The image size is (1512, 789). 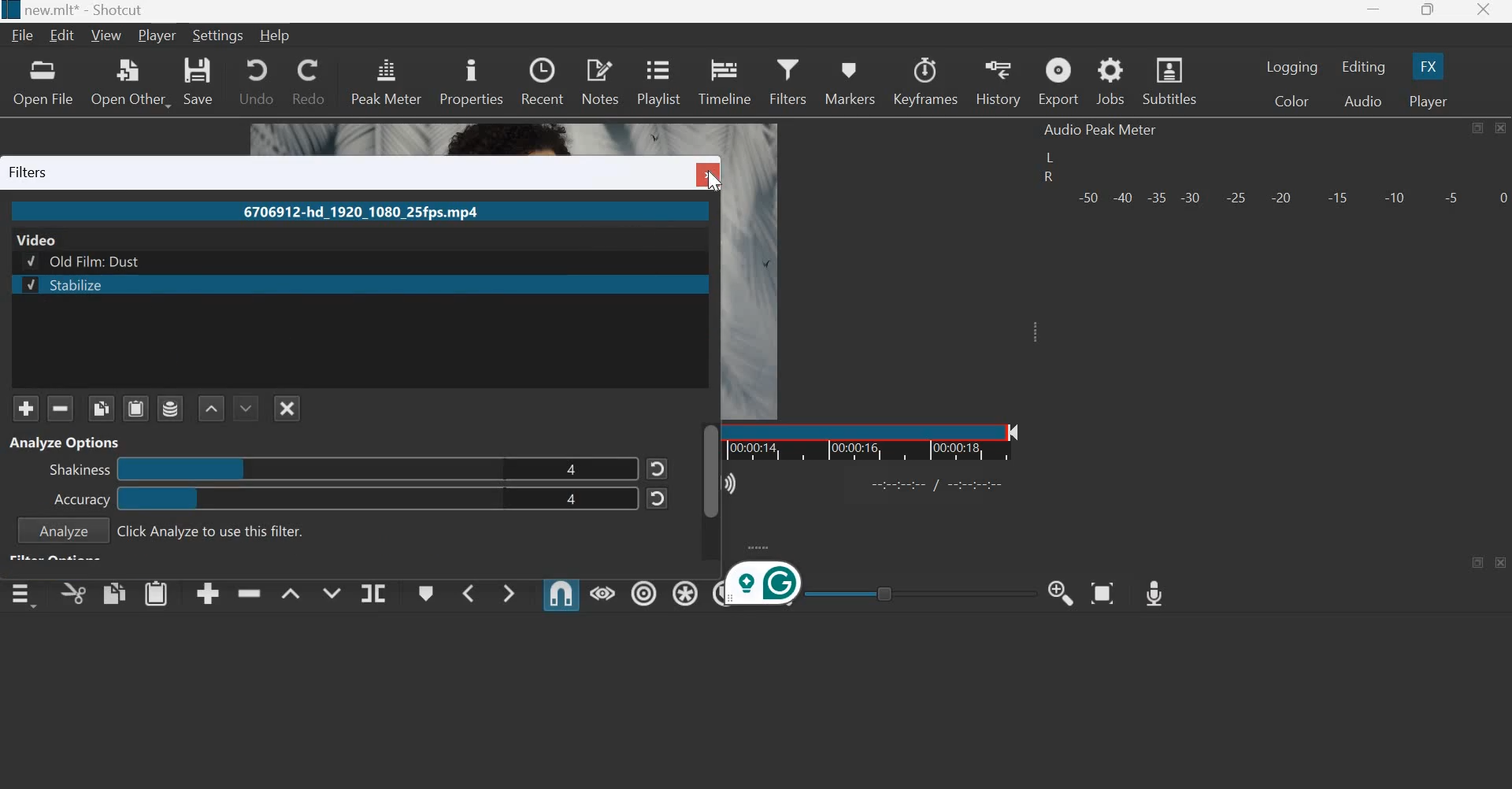 I want to click on expand, so click(x=766, y=547).